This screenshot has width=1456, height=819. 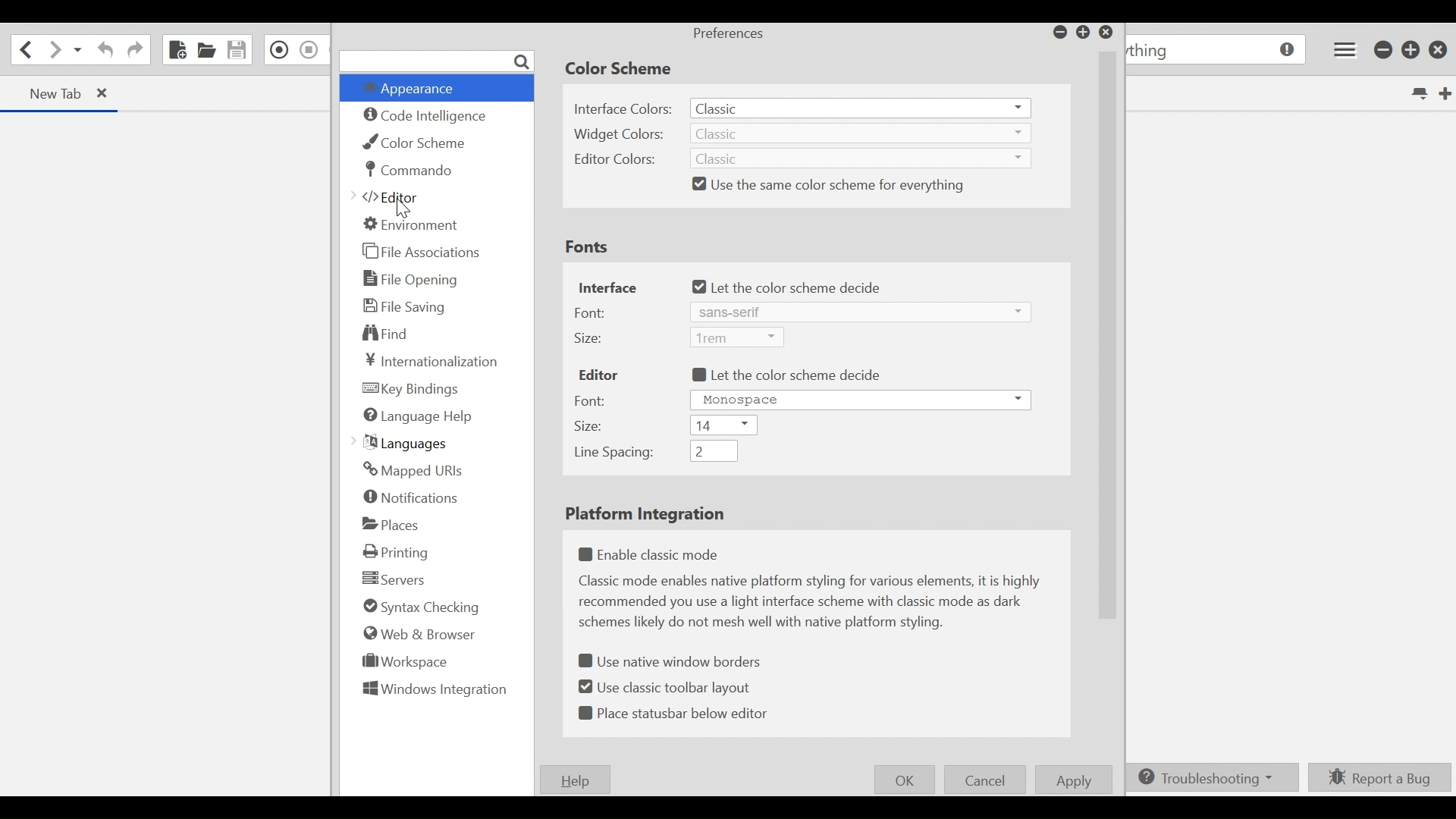 I want to click on Current Tab, so click(x=62, y=95).